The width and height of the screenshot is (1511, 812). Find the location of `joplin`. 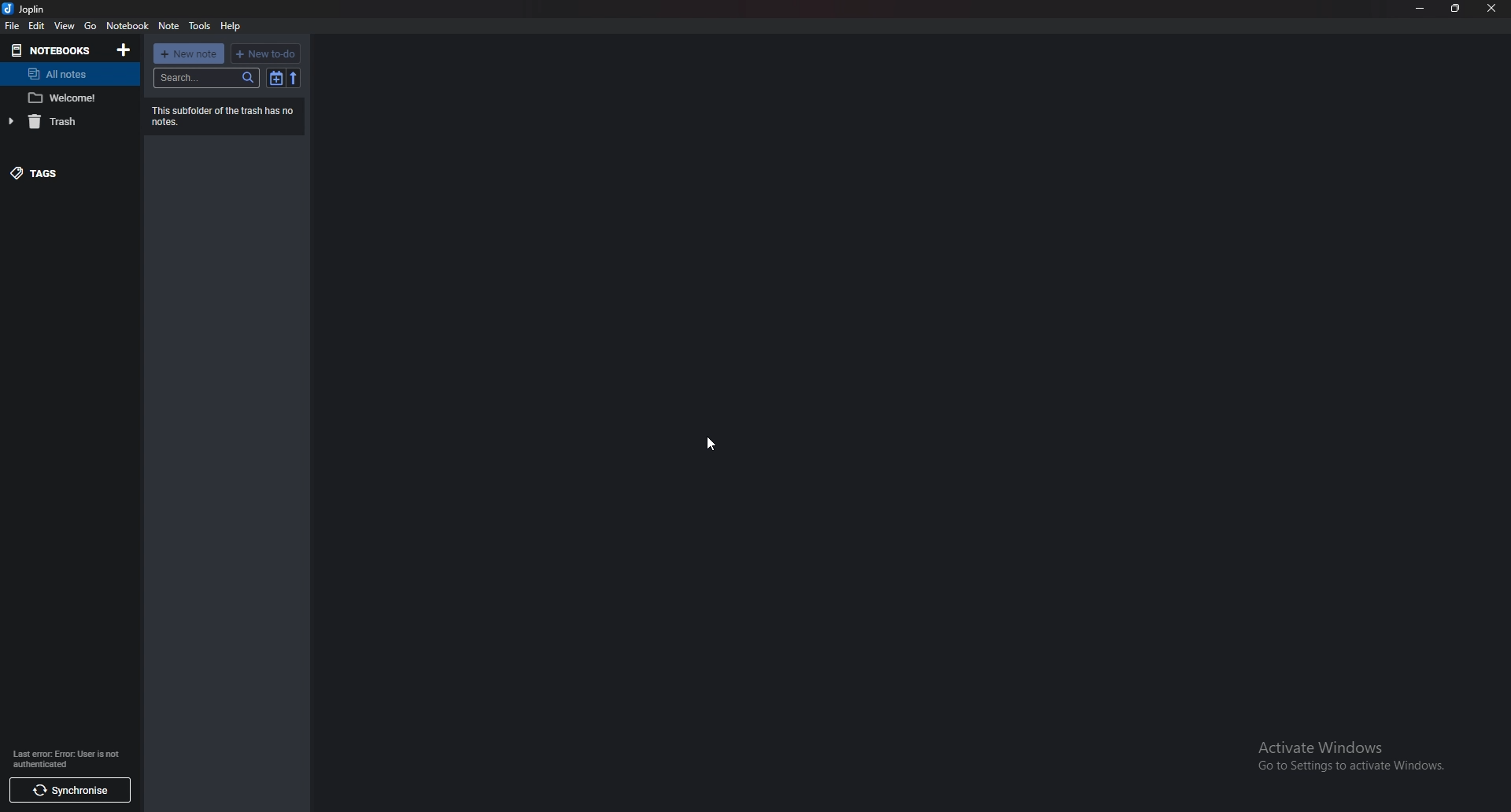

joplin is located at coordinates (28, 9).